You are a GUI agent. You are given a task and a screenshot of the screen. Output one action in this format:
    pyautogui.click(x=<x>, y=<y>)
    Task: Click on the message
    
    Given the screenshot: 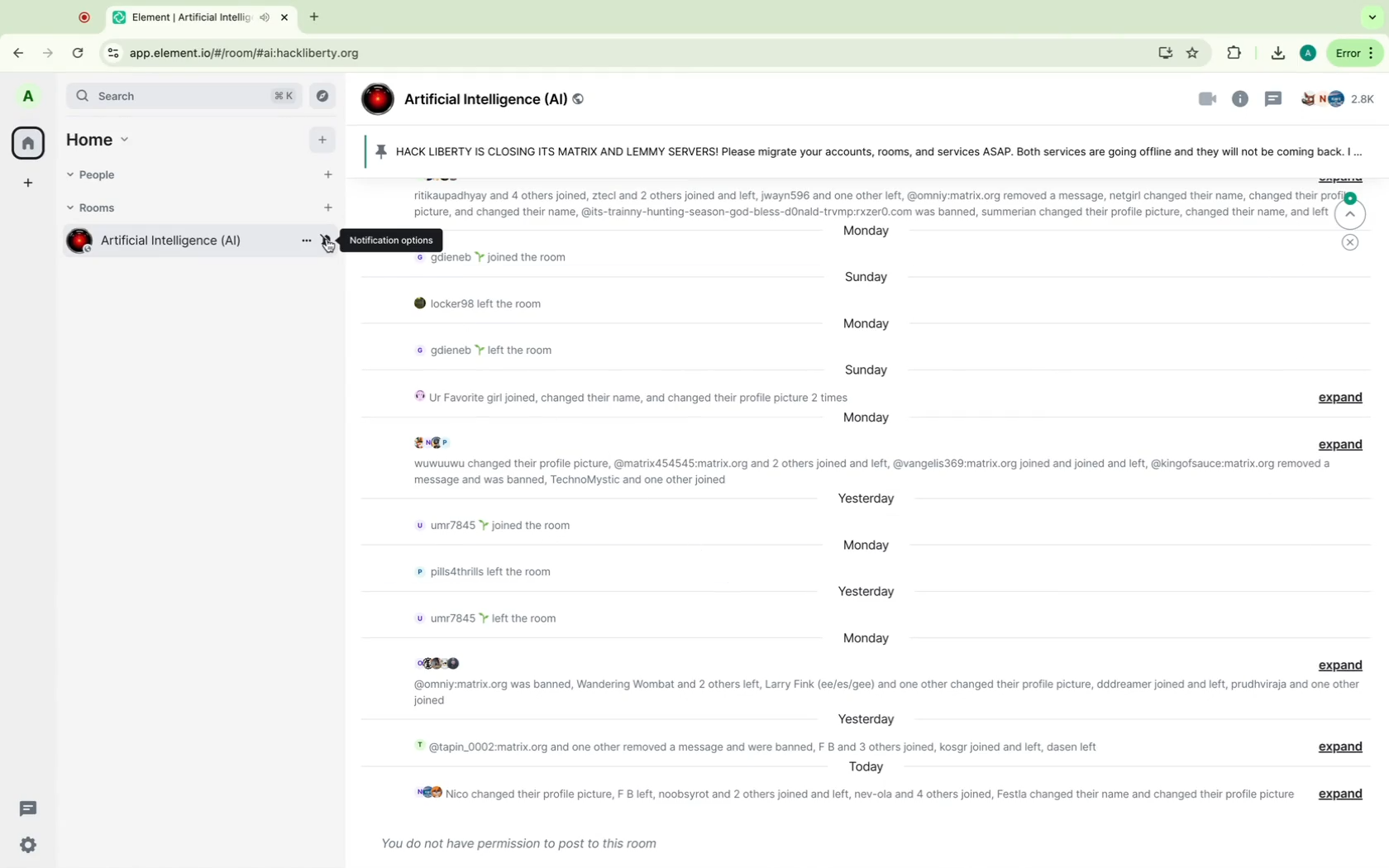 What is the action you would take?
    pyautogui.click(x=497, y=615)
    